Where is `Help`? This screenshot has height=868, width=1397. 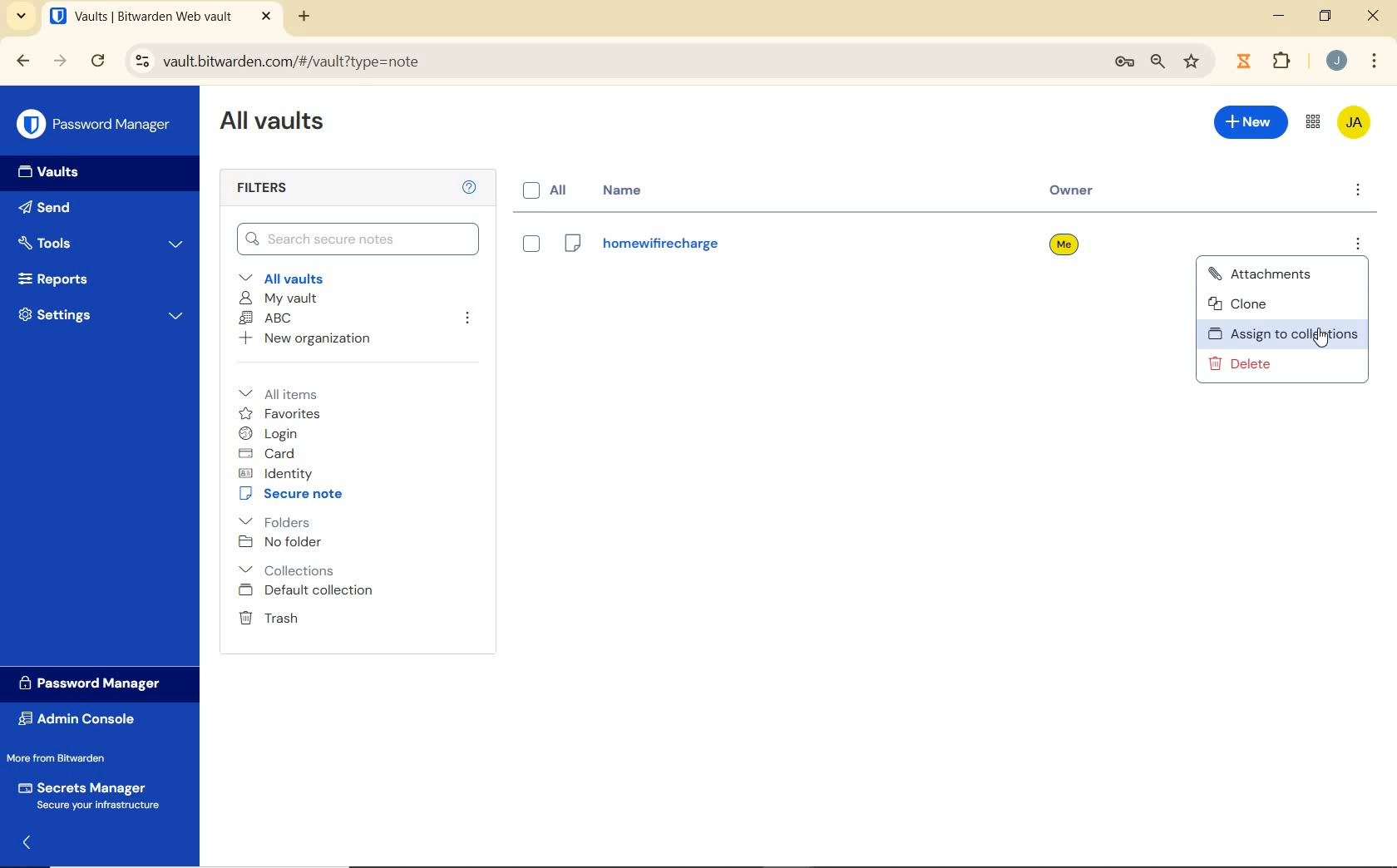 Help is located at coordinates (471, 188).